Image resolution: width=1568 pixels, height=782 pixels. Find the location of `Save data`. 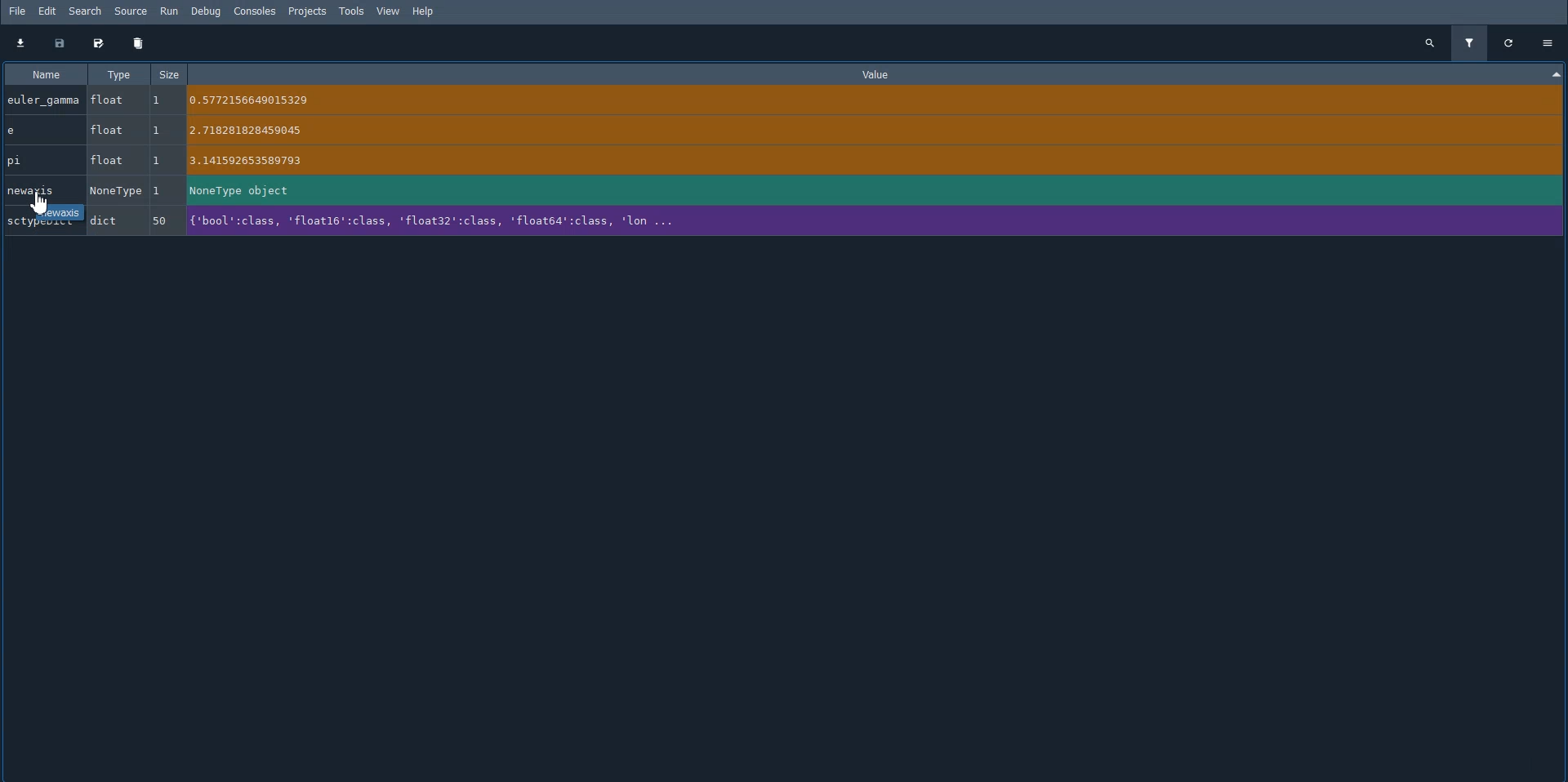

Save data is located at coordinates (60, 44).